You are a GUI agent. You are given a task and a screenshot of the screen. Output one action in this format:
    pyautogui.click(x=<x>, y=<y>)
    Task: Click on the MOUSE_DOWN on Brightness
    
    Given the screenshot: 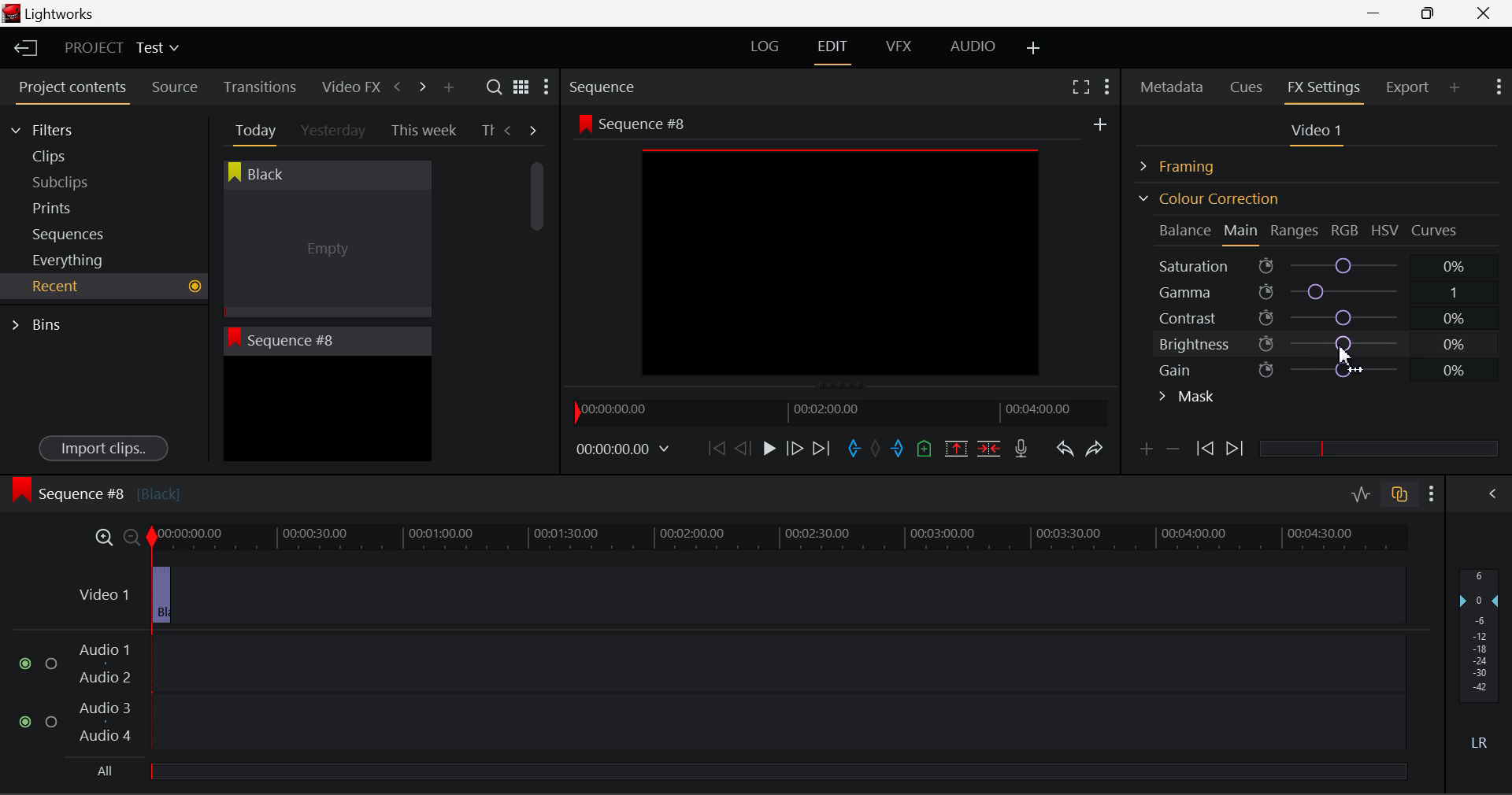 What is the action you would take?
    pyautogui.click(x=1343, y=353)
    